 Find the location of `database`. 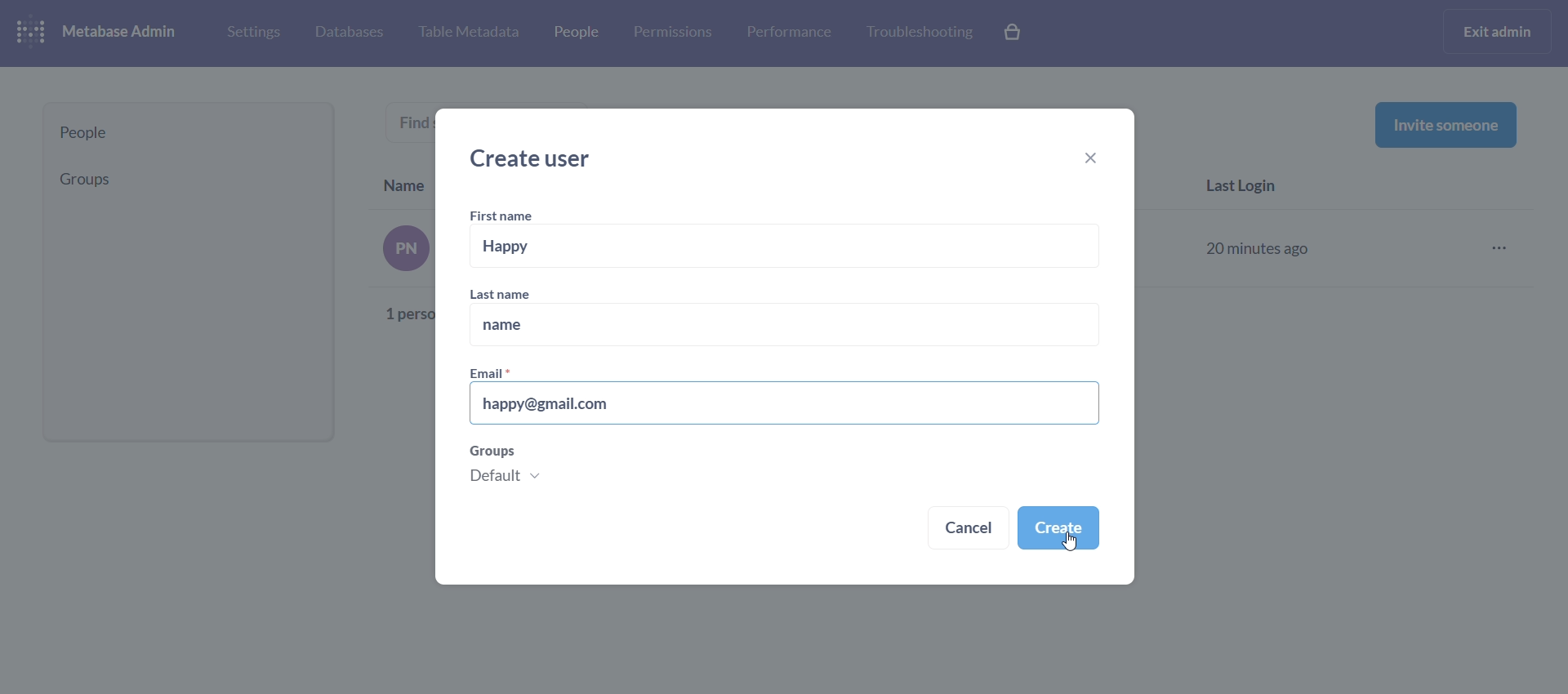

database is located at coordinates (346, 33).